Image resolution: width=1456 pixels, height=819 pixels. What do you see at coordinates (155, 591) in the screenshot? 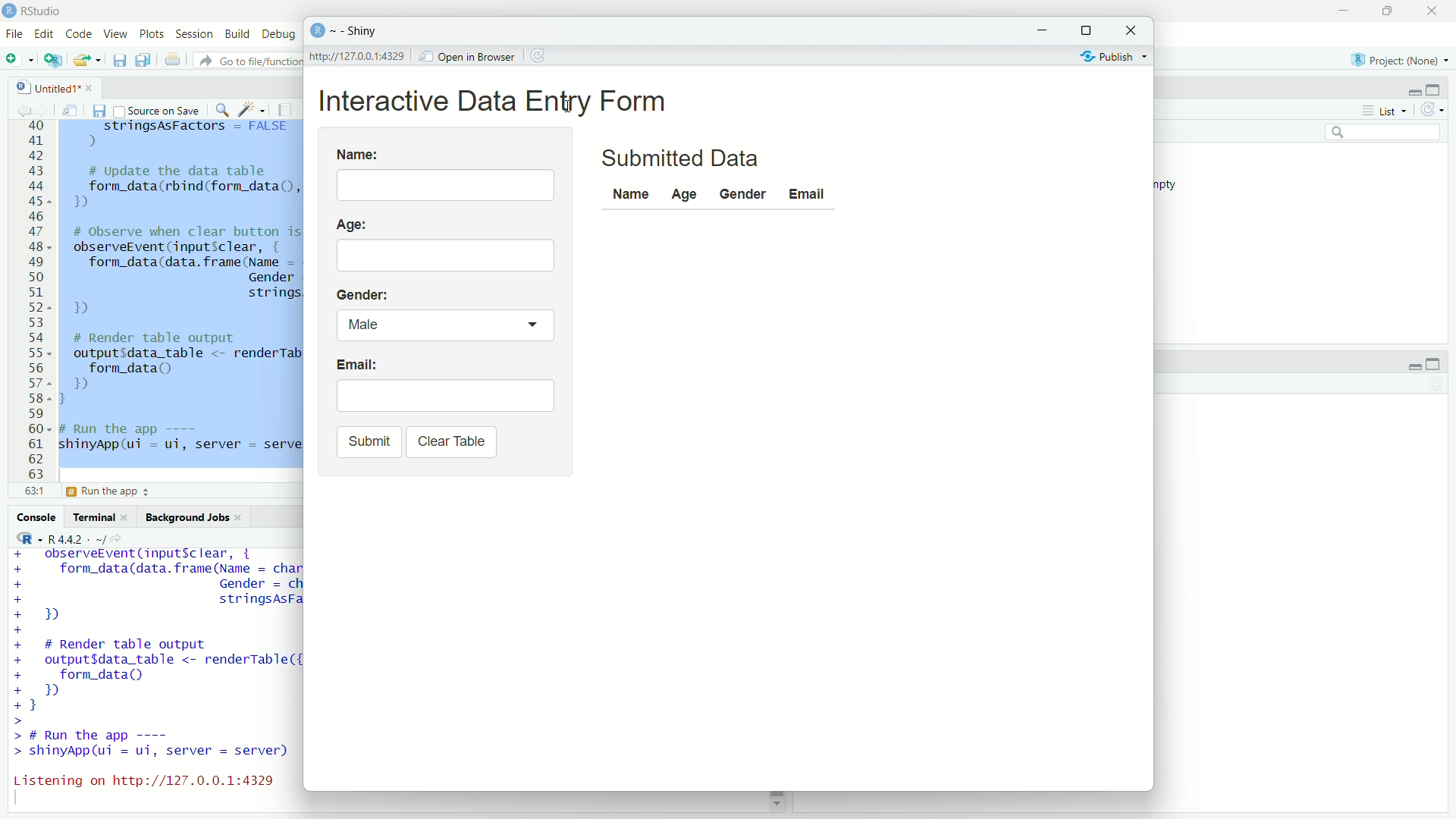
I see `code to observe when clear button is clicked` at bounding box center [155, 591].